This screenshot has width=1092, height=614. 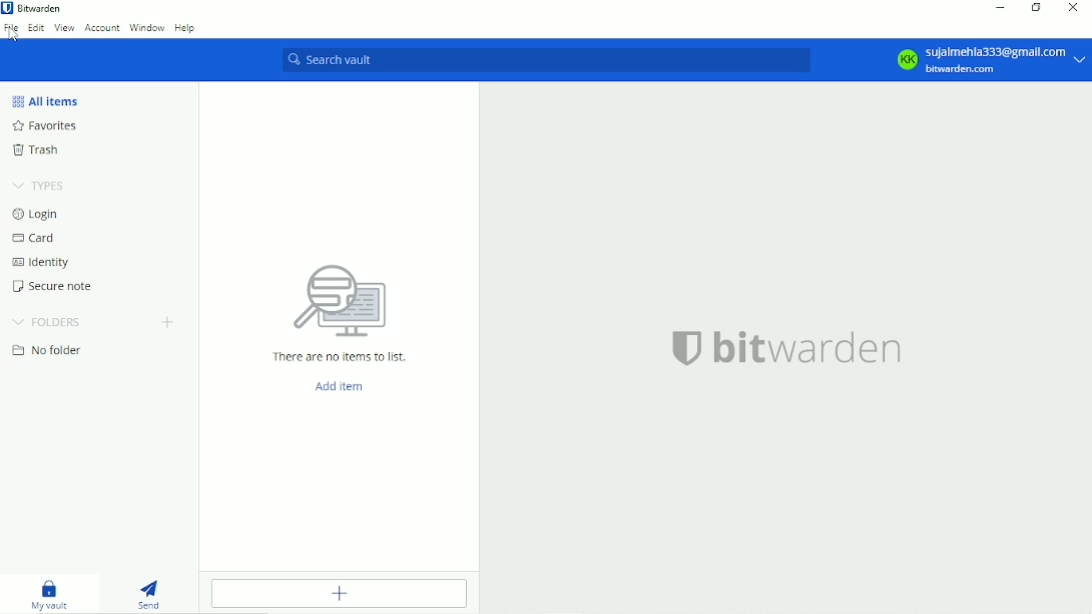 What do you see at coordinates (169, 322) in the screenshot?
I see `Create folder` at bounding box center [169, 322].